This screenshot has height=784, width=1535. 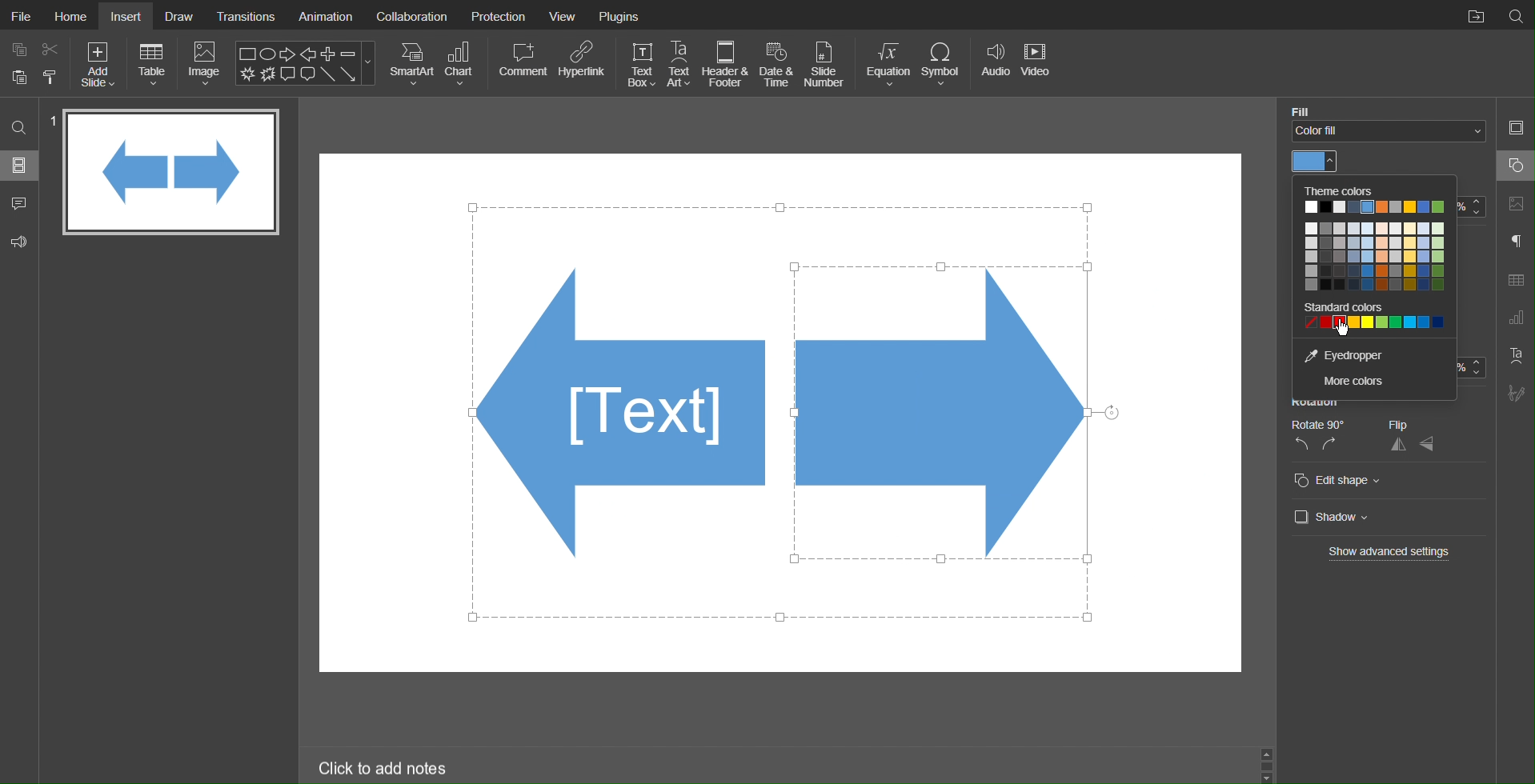 What do you see at coordinates (1344, 327) in the screenshot?
I see `cursor` at bounding box center [1344, 327].